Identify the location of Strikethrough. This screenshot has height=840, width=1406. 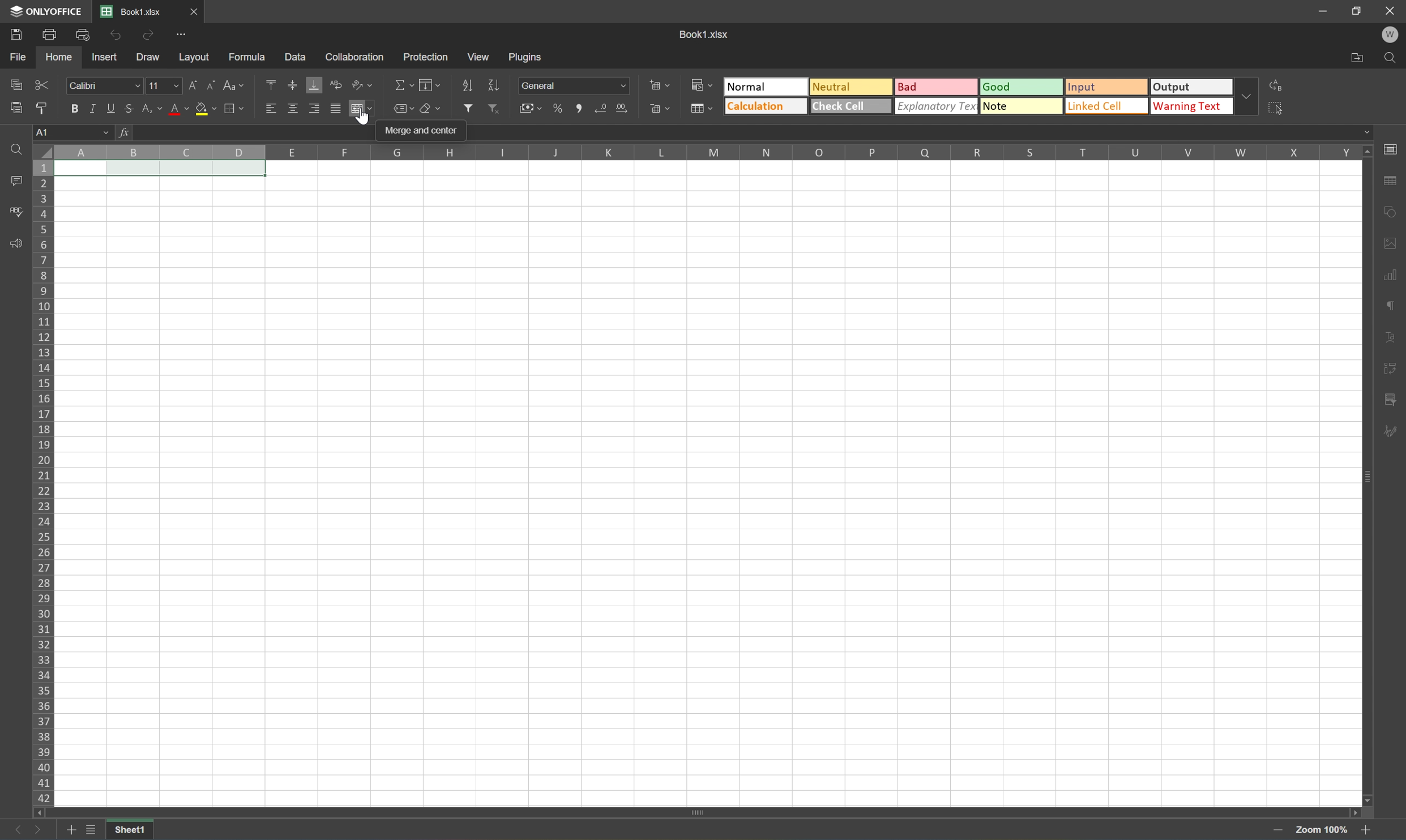
(132, 109).